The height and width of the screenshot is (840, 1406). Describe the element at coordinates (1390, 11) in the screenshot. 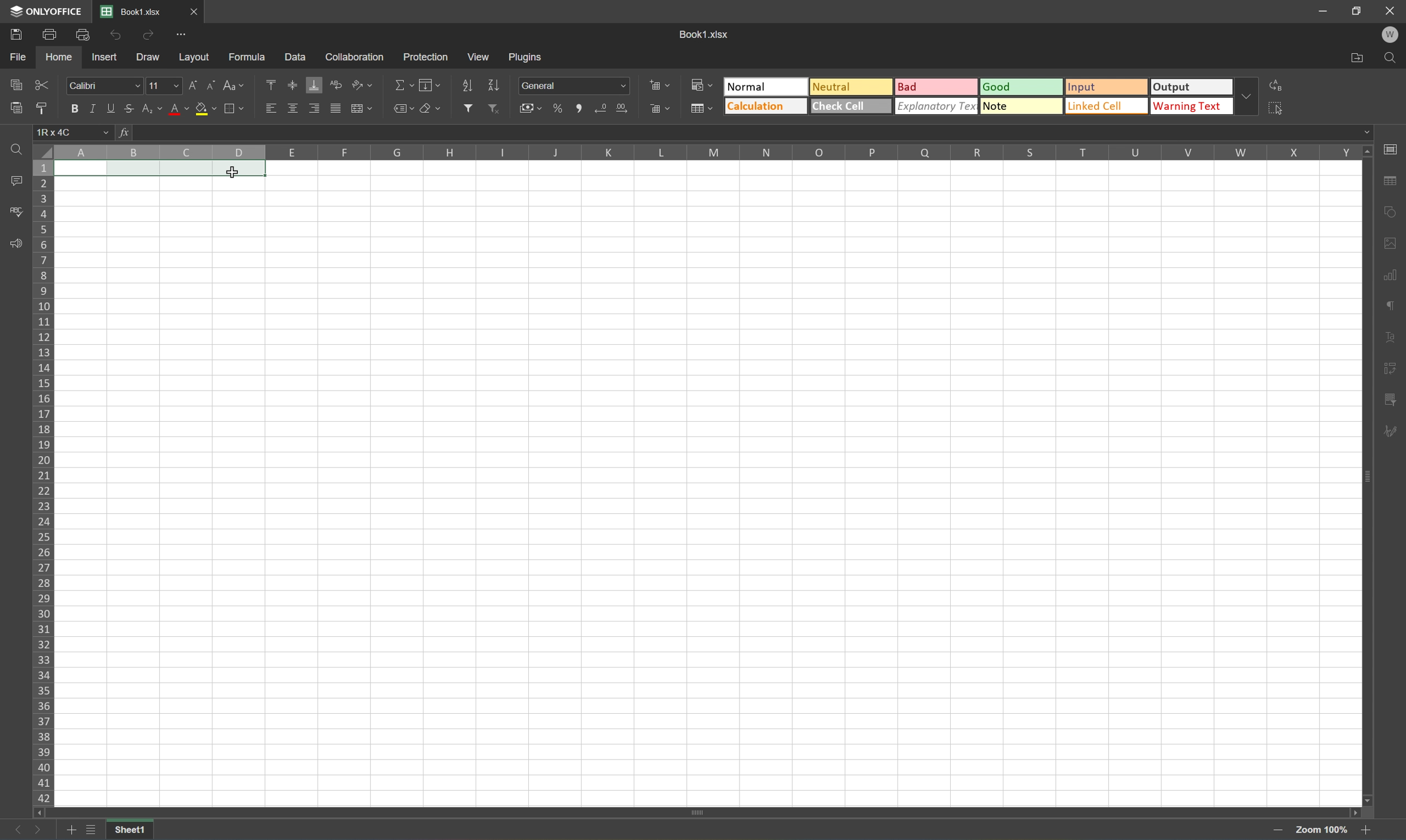

I see `Close` at that location.